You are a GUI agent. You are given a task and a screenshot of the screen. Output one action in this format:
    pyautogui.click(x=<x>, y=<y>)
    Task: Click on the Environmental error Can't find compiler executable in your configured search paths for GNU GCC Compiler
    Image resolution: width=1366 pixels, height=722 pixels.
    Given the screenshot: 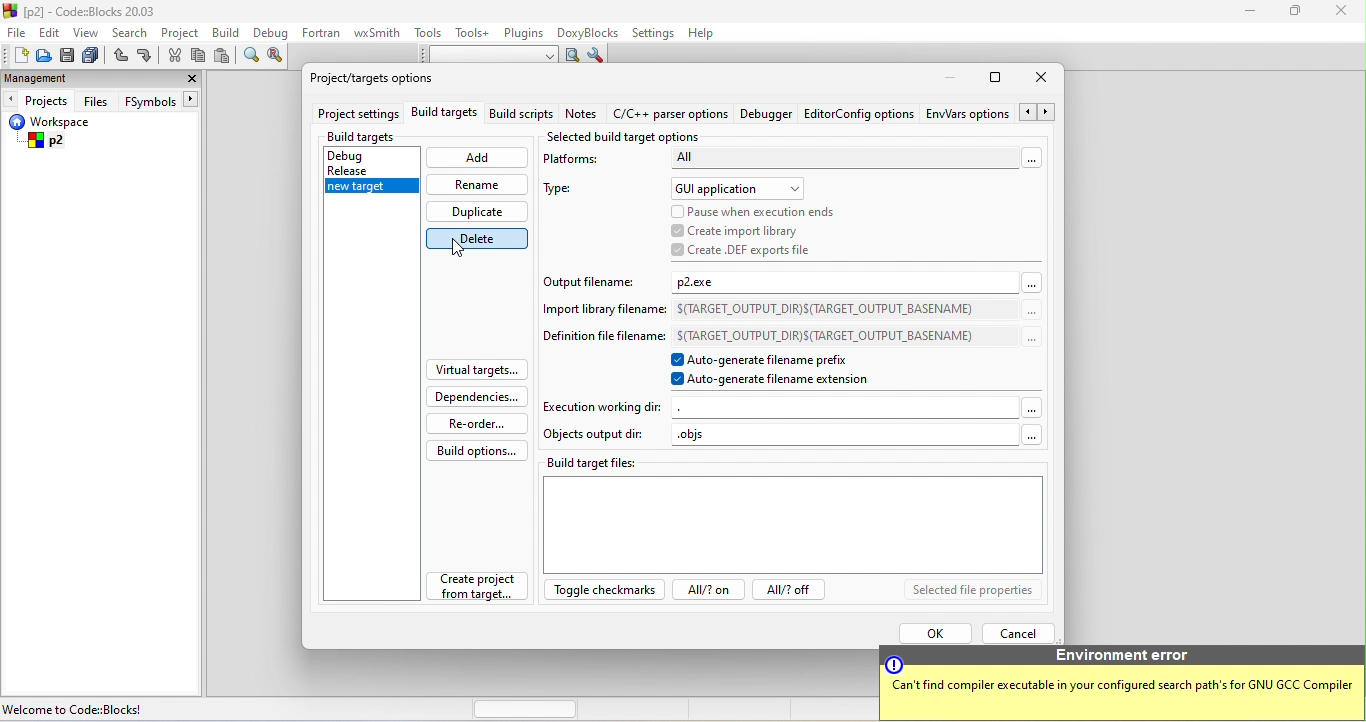 What is the action you would take?
    pyautogui.click(x=1116, y=682)
    